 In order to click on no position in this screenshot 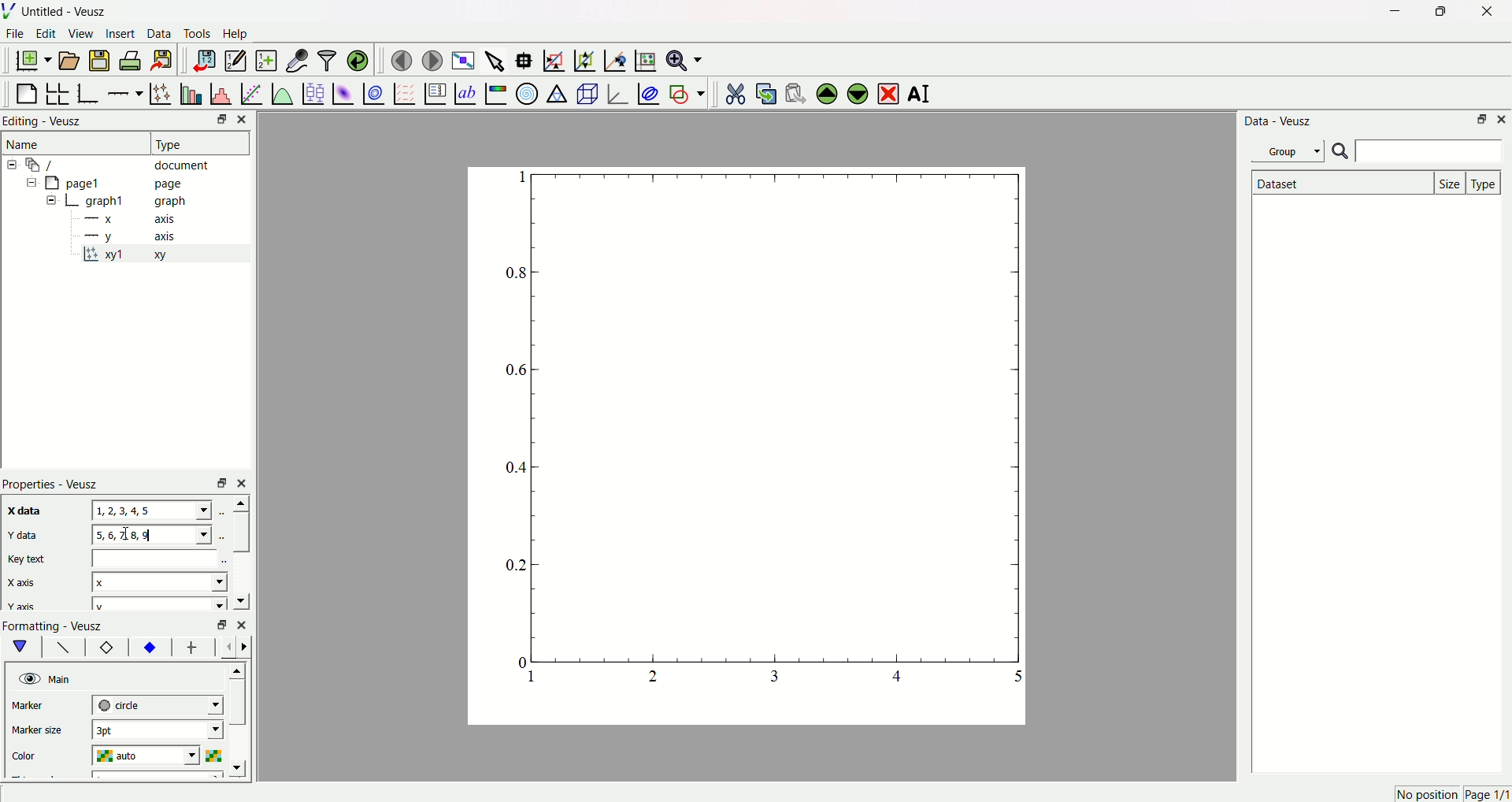, I will do `click(1425, 794)`.